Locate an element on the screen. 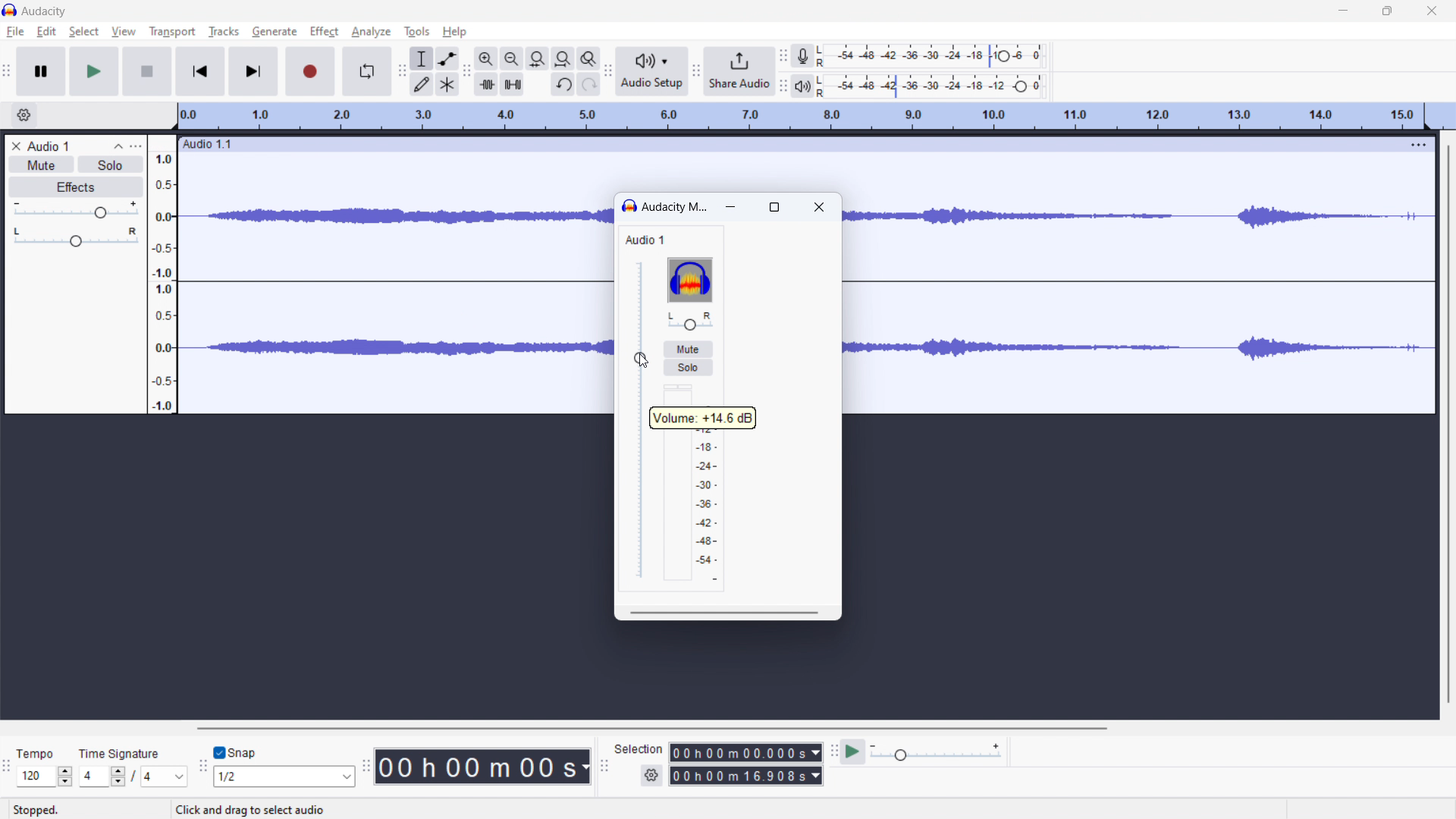 This screenshot has width=1456, height=819. mute is located at coordinates (42, 165).